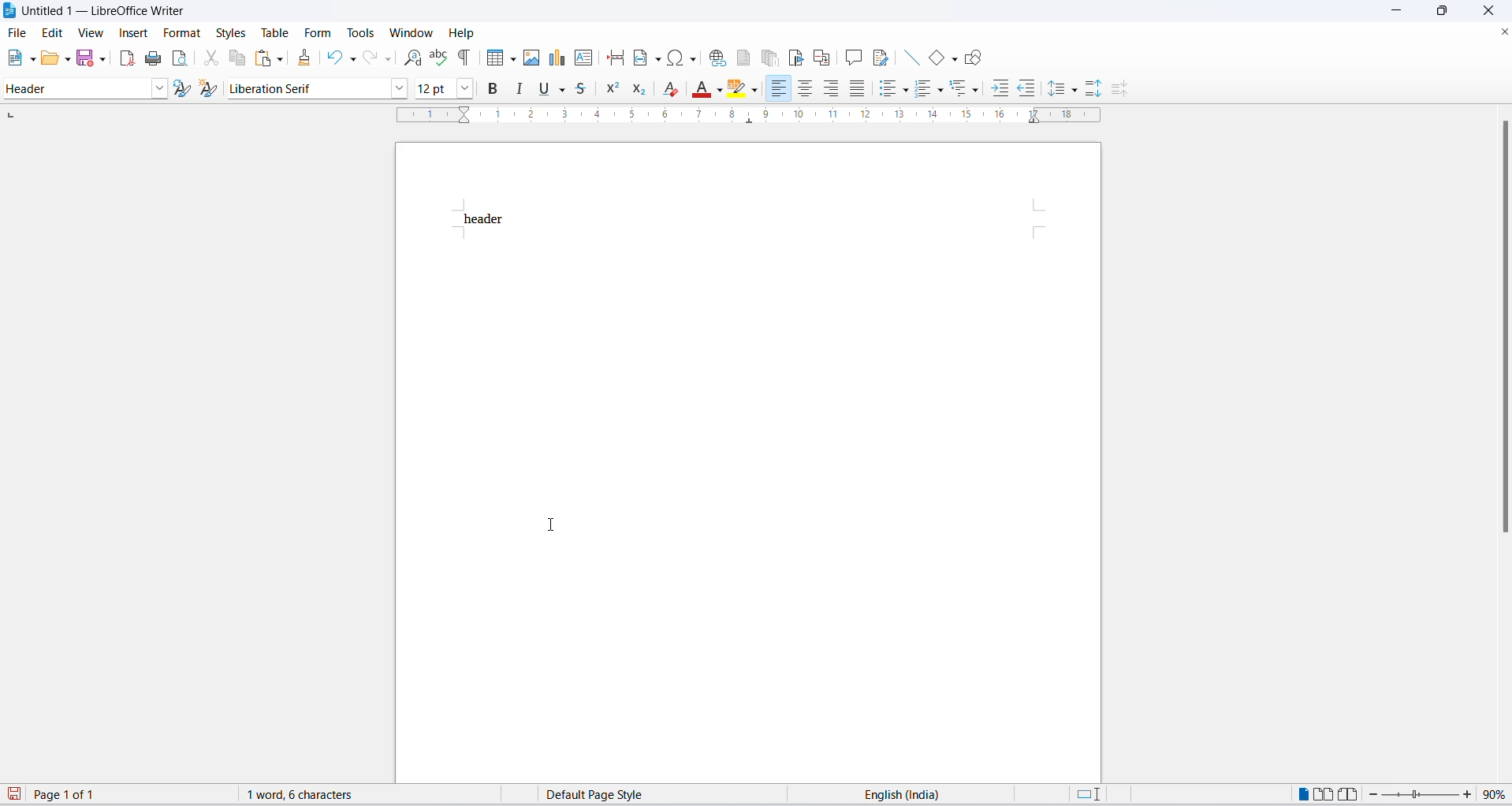 The image size is (1512, 806). Describe the element at coordinates (1346, 794) in the screenshot. I see `book view` at that location.